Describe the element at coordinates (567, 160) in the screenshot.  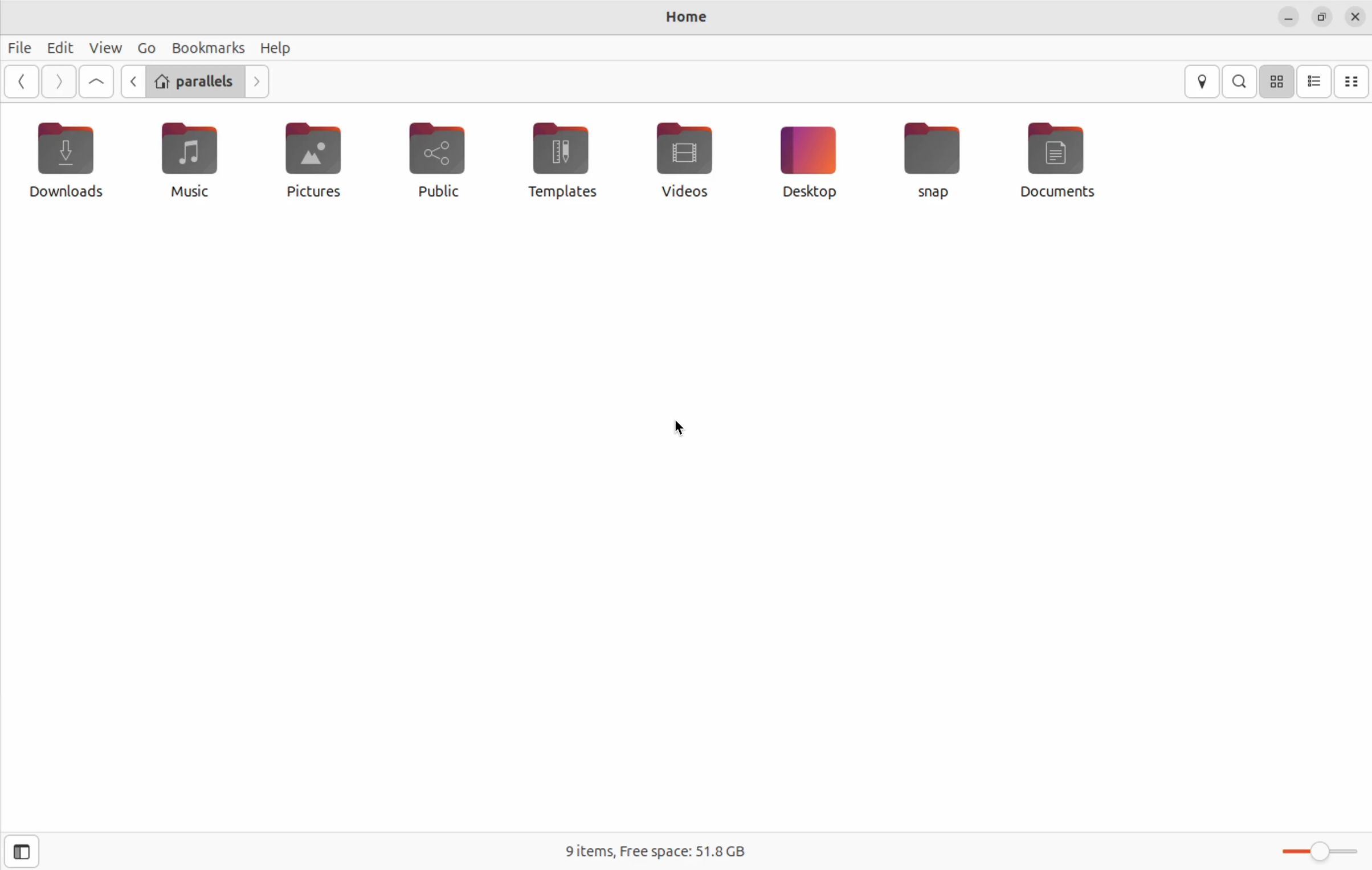
I see `Templates` at that location.